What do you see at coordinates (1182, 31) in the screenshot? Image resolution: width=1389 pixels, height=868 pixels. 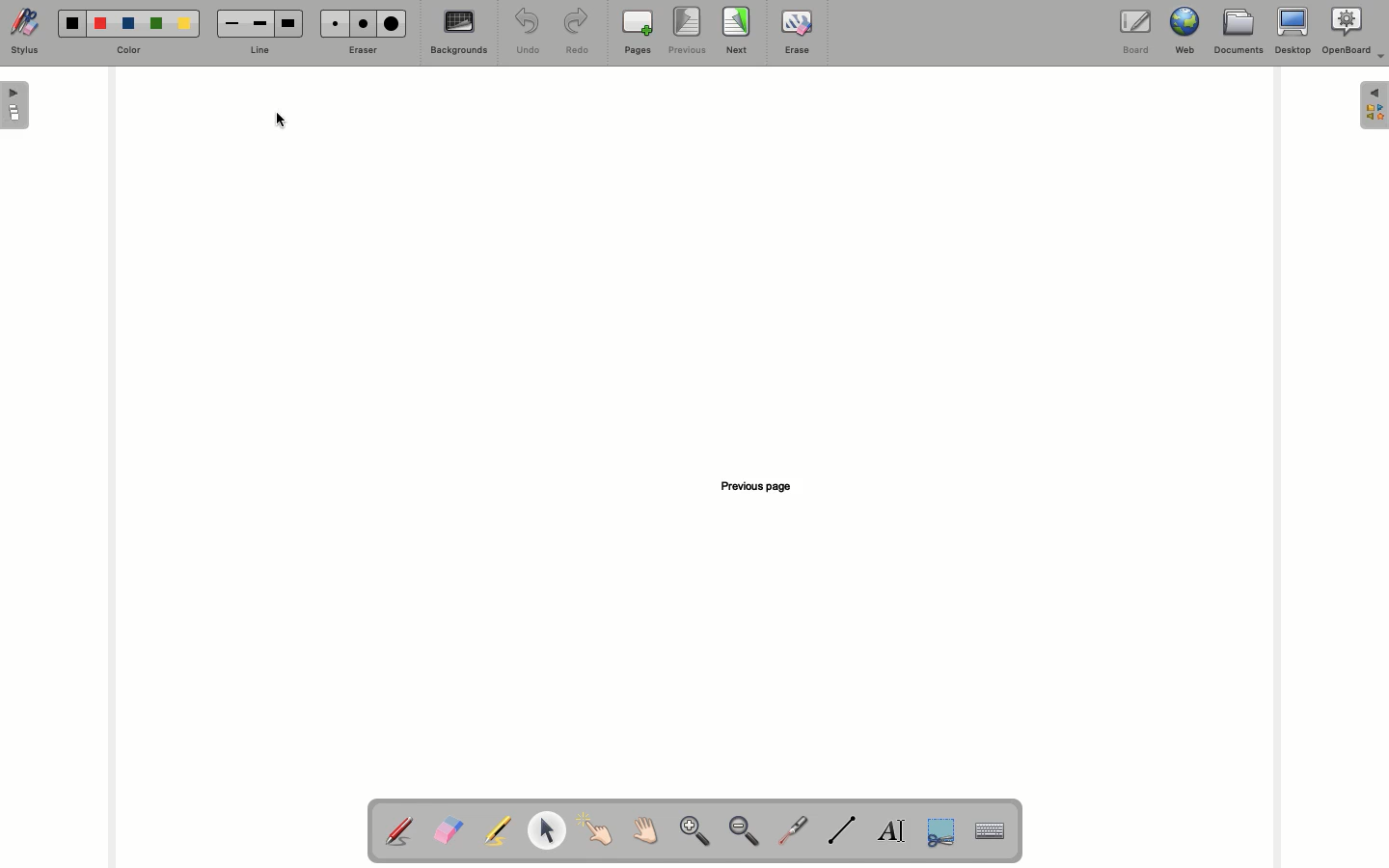 I see `Web` at bounding box center [1182, 31].